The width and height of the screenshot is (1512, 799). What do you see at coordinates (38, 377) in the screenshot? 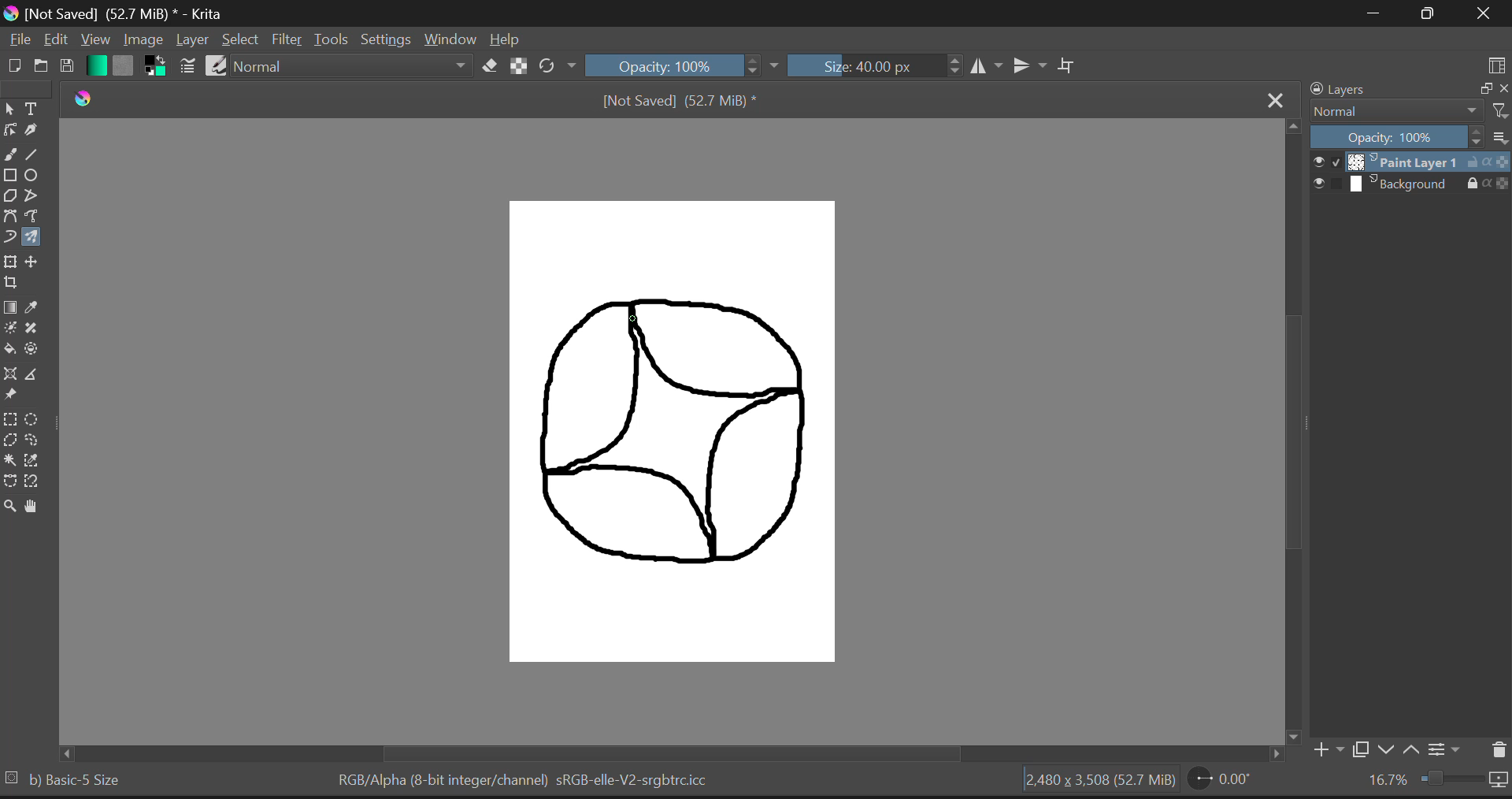
I see `Measurements` at bounding box center [38, 377].